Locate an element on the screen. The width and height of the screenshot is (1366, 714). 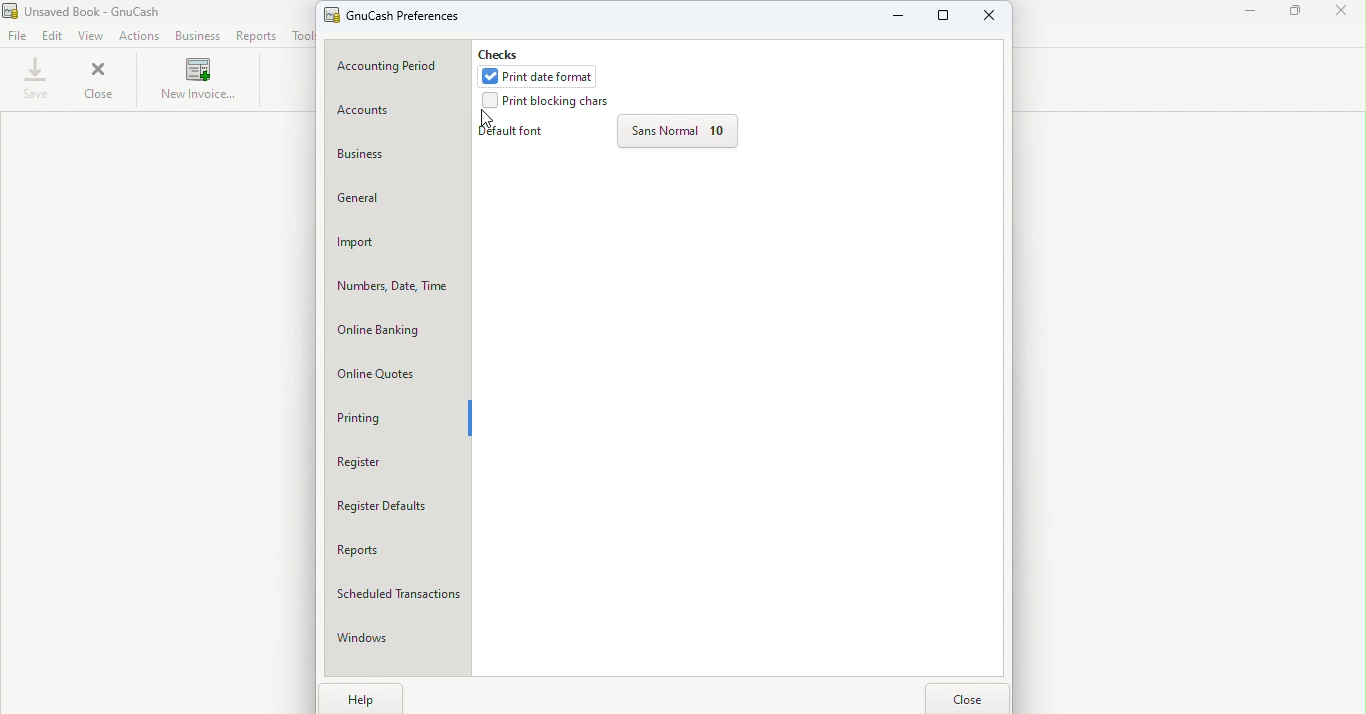
New invoice is located at coordinates (202, 82).